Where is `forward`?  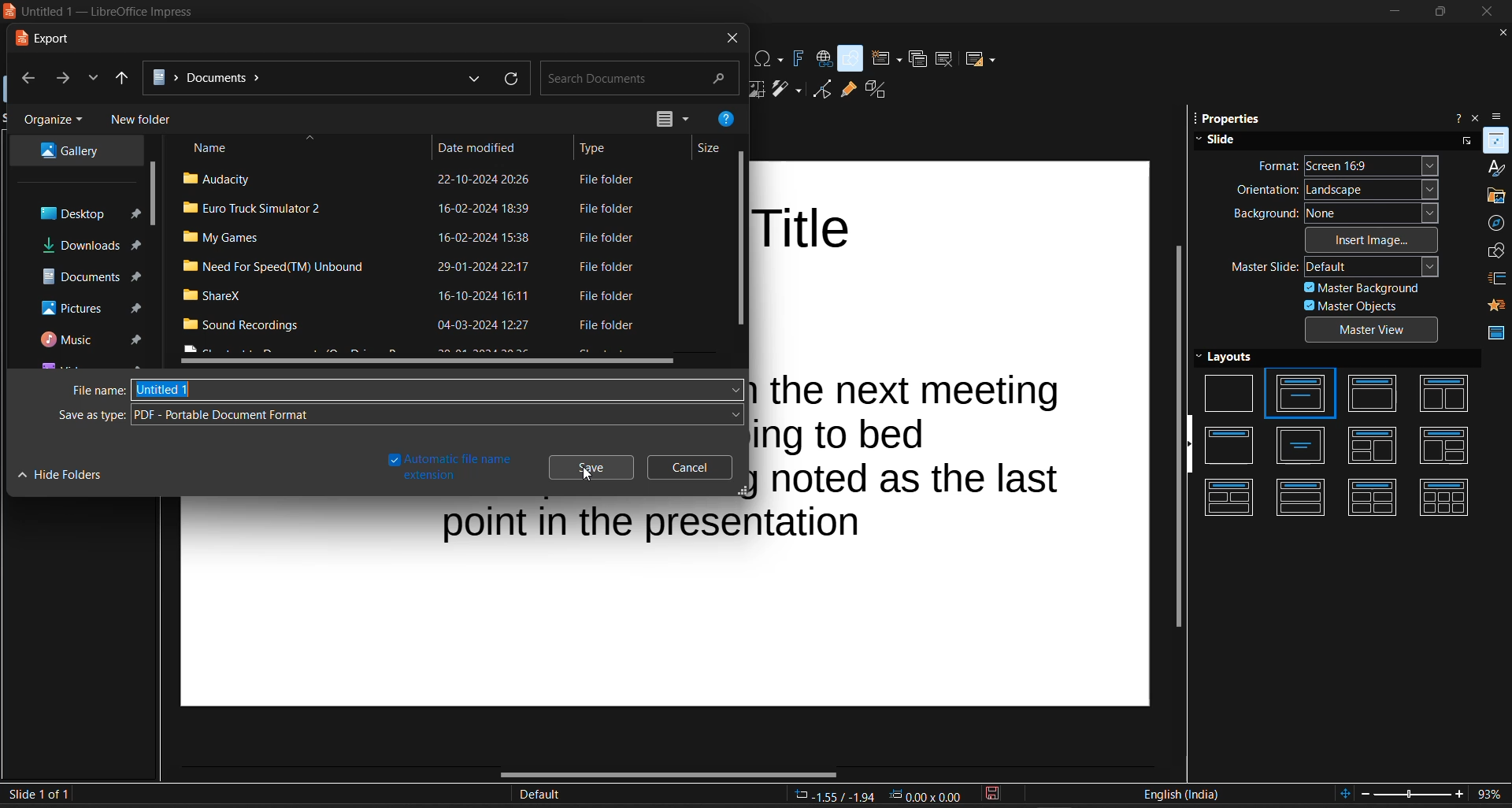
forward is located at coordinates (65, 79).